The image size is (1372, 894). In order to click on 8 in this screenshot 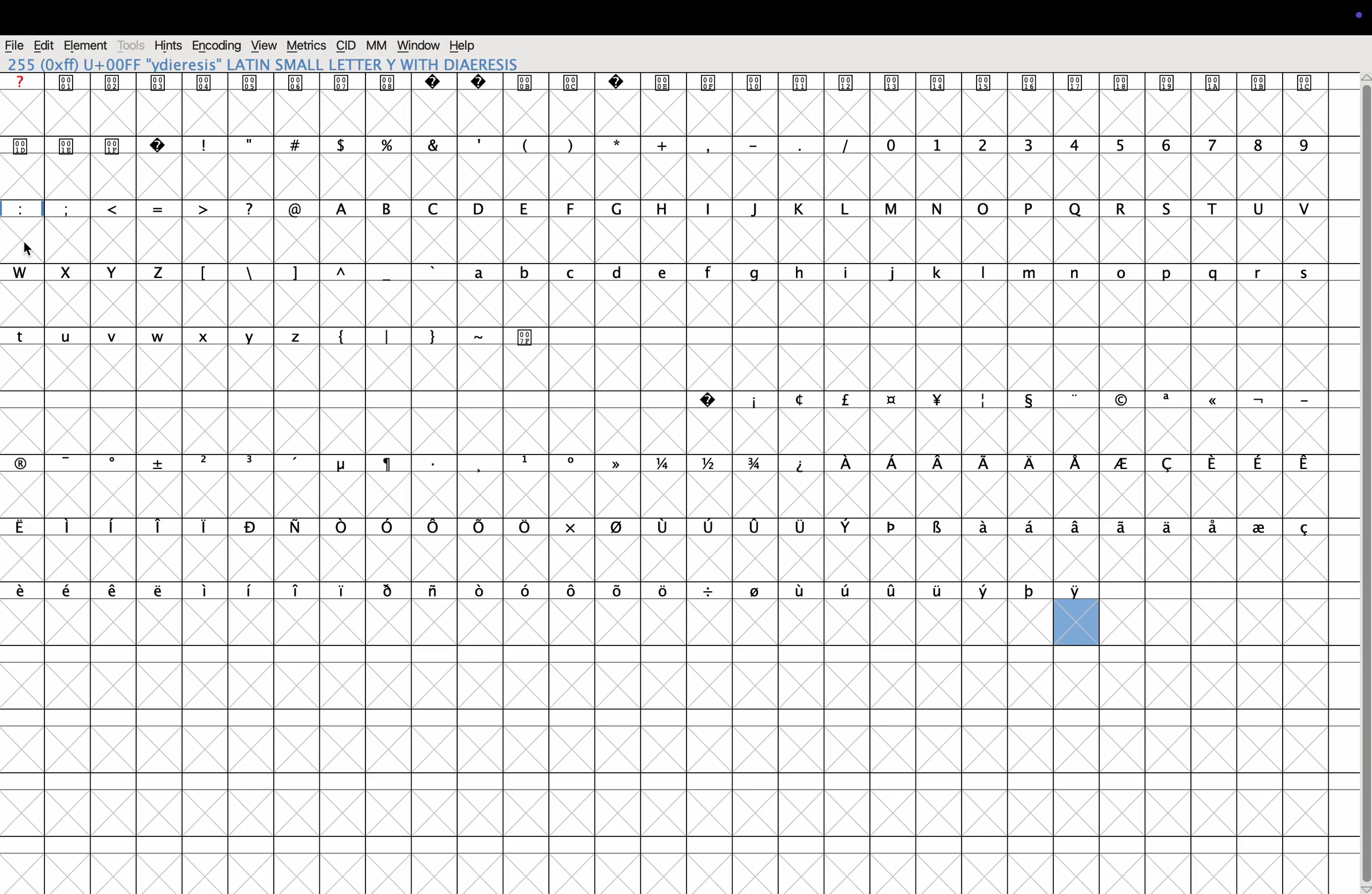, I will do `click(1261, 167)`.